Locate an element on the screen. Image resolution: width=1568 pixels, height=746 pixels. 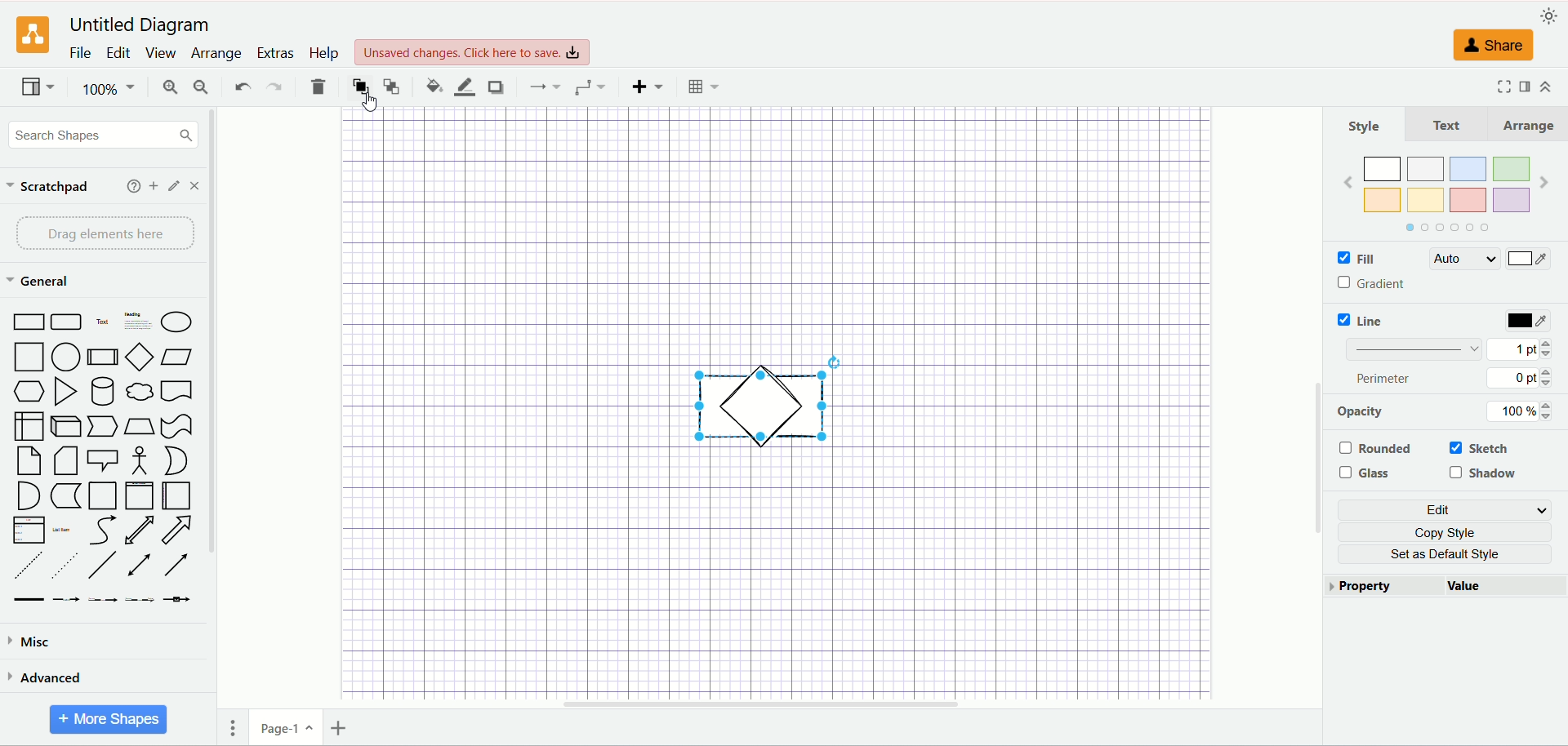
general is located at coordinates (40, 282).